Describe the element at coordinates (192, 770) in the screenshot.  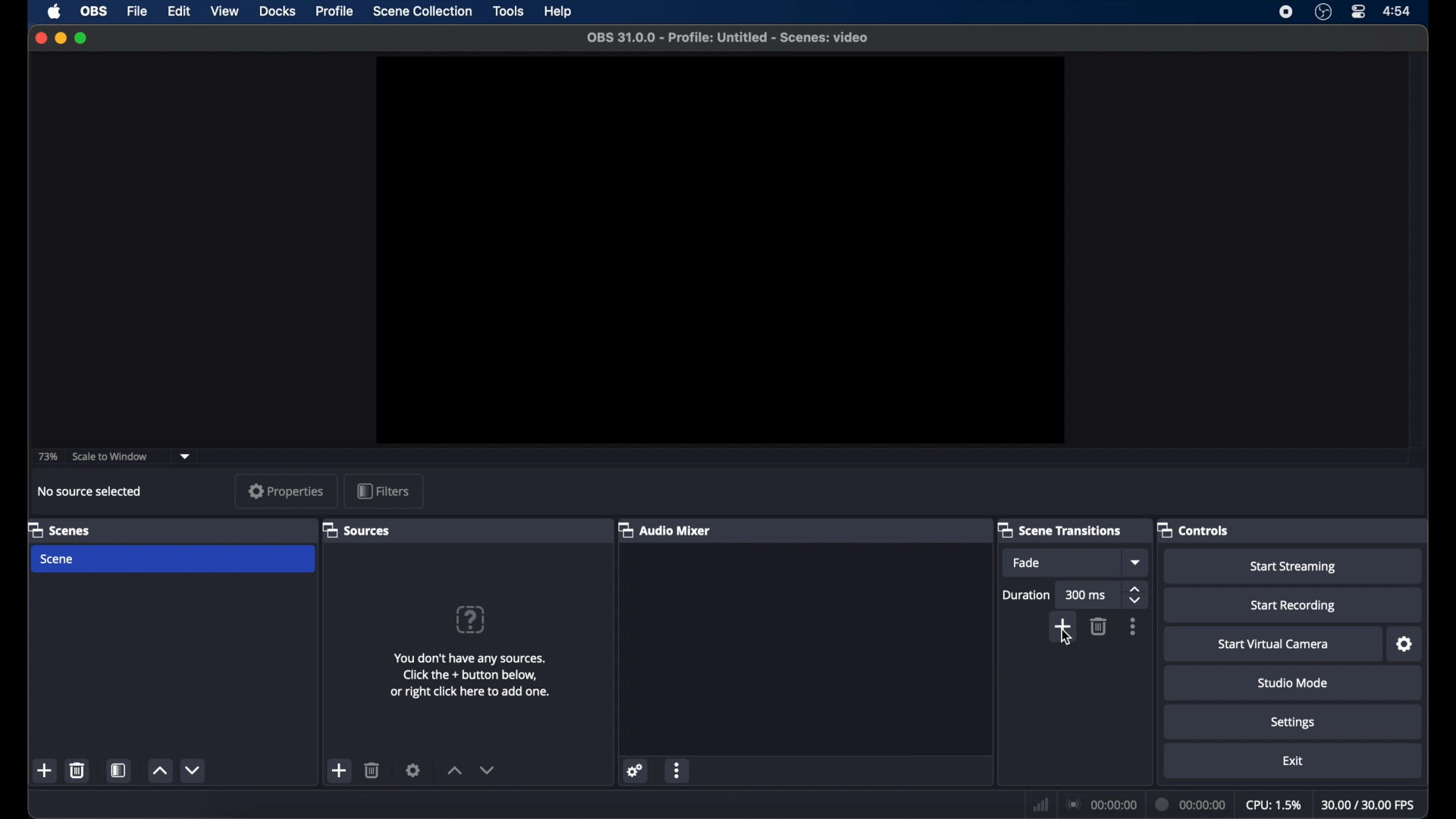
I see `decrement` at that location.